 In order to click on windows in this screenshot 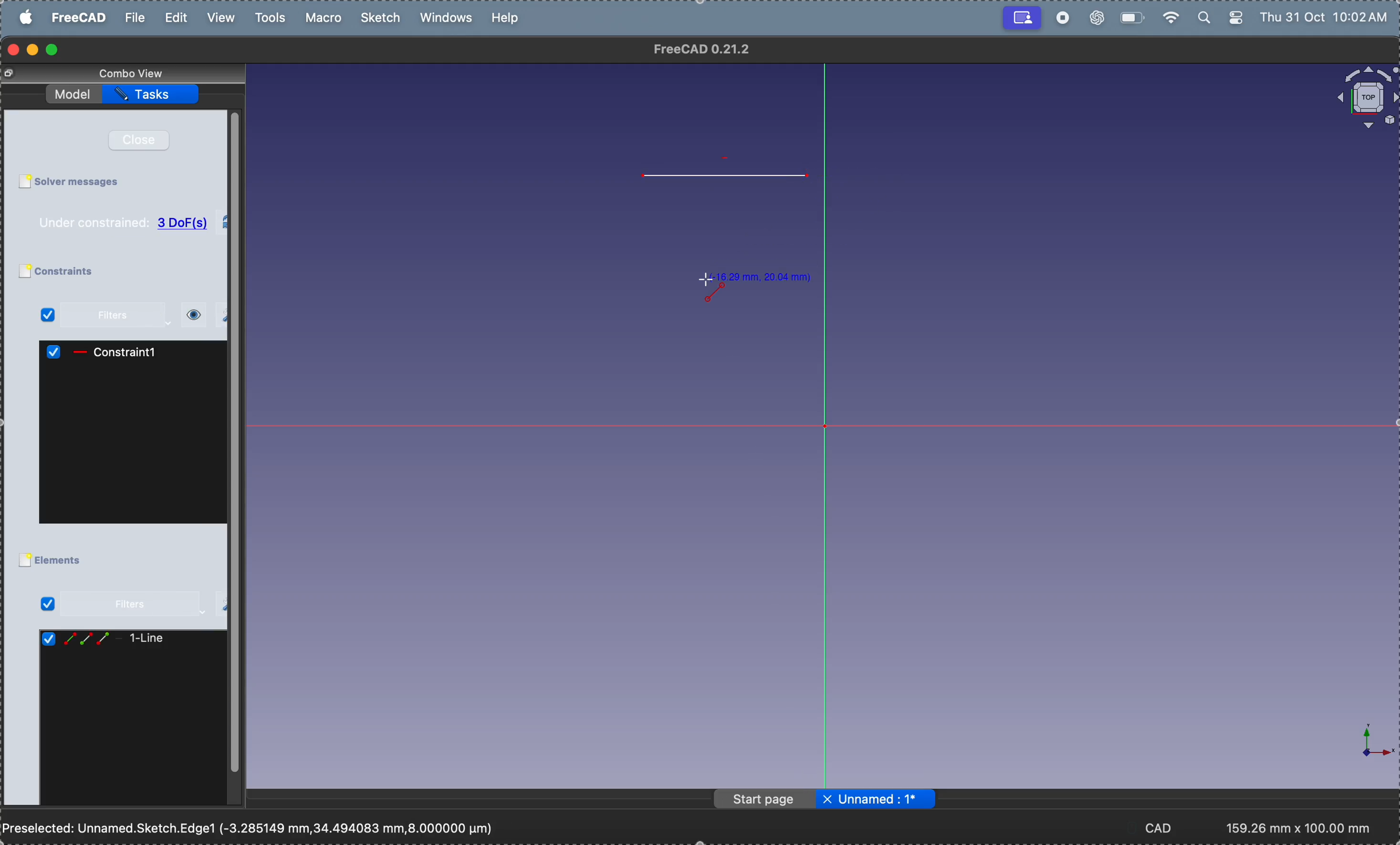, I will do `click(450, 19)`.